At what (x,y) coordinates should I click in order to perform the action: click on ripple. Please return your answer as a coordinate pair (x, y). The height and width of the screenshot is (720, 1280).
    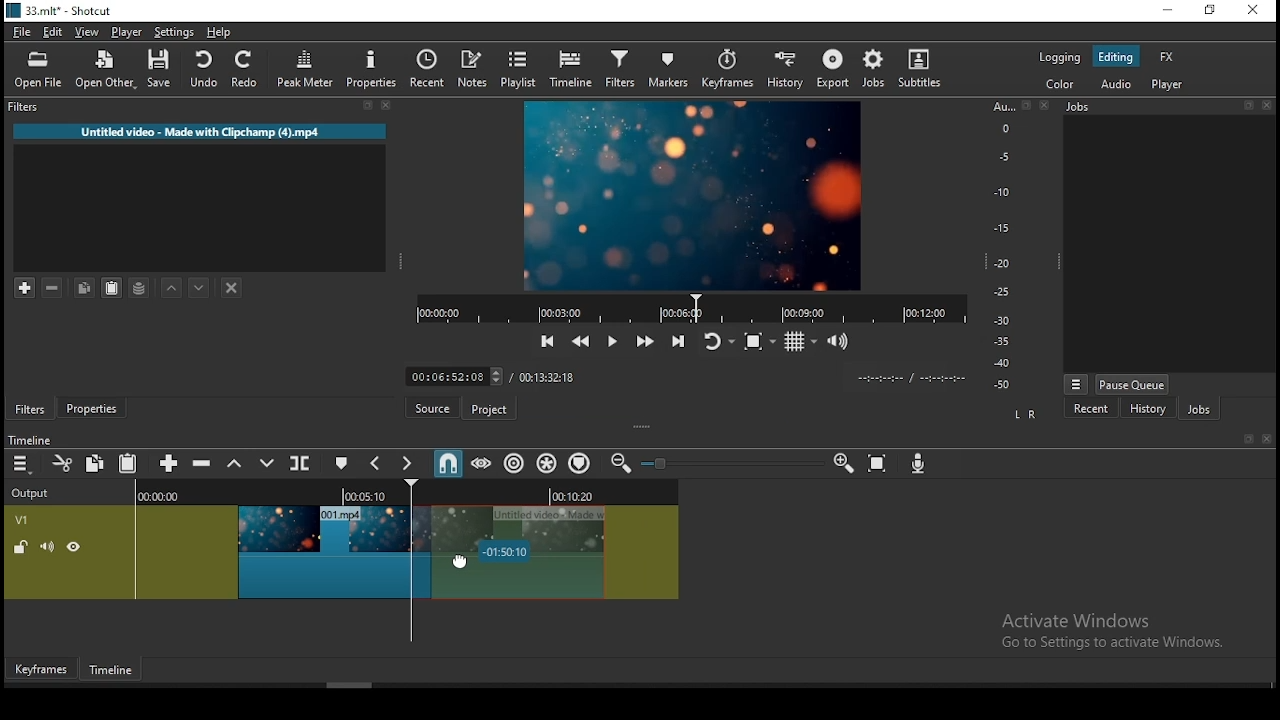
    Looking at the image, I should click on (515, 464).